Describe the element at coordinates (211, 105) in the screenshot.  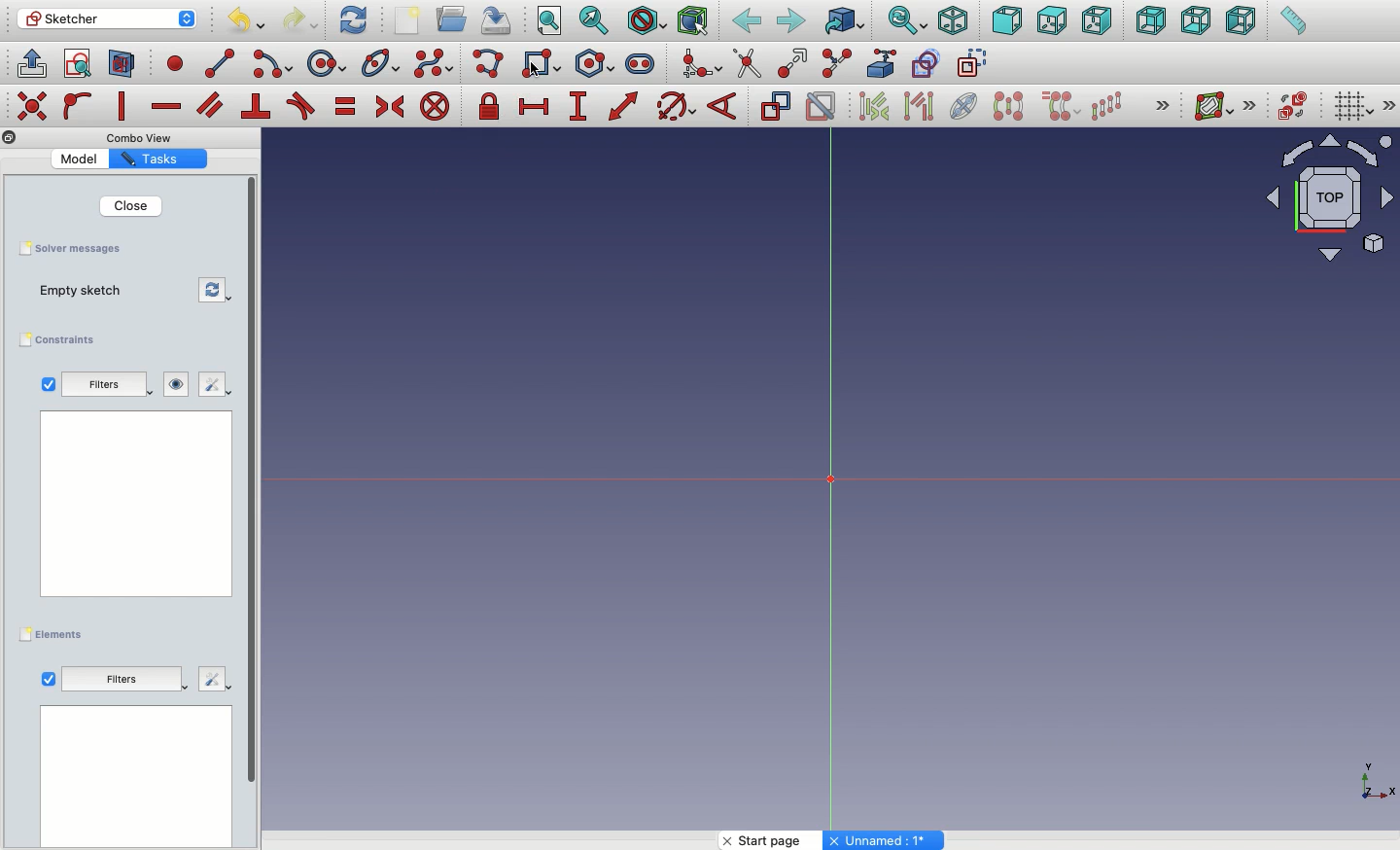
I see `constrain parallel` at that location.